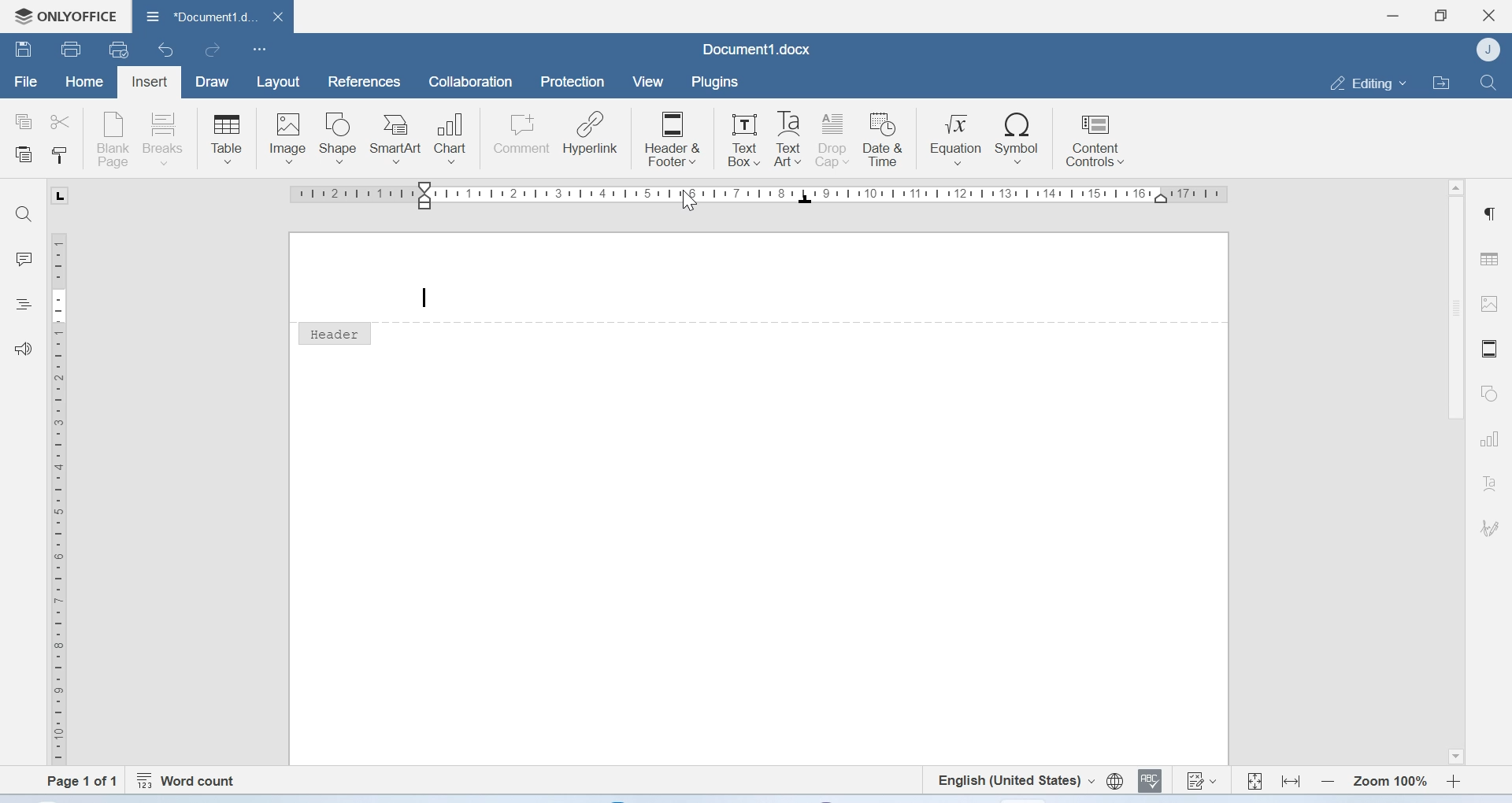 This screenshot has width=1512, height=803. Describe the element at coordinates (1327, 780) in the screenshot. I see `Zoom out` at that location.